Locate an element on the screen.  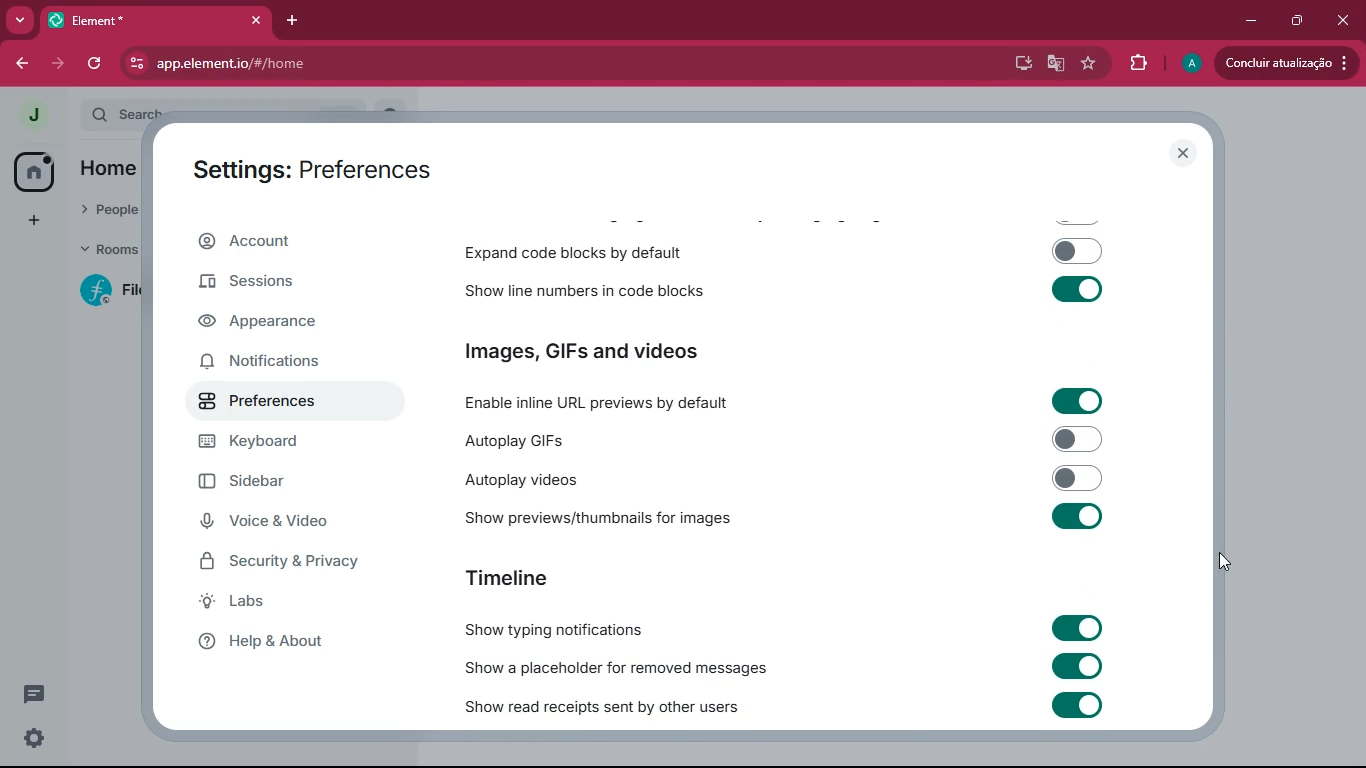
home is located at coordinates (38, 170).